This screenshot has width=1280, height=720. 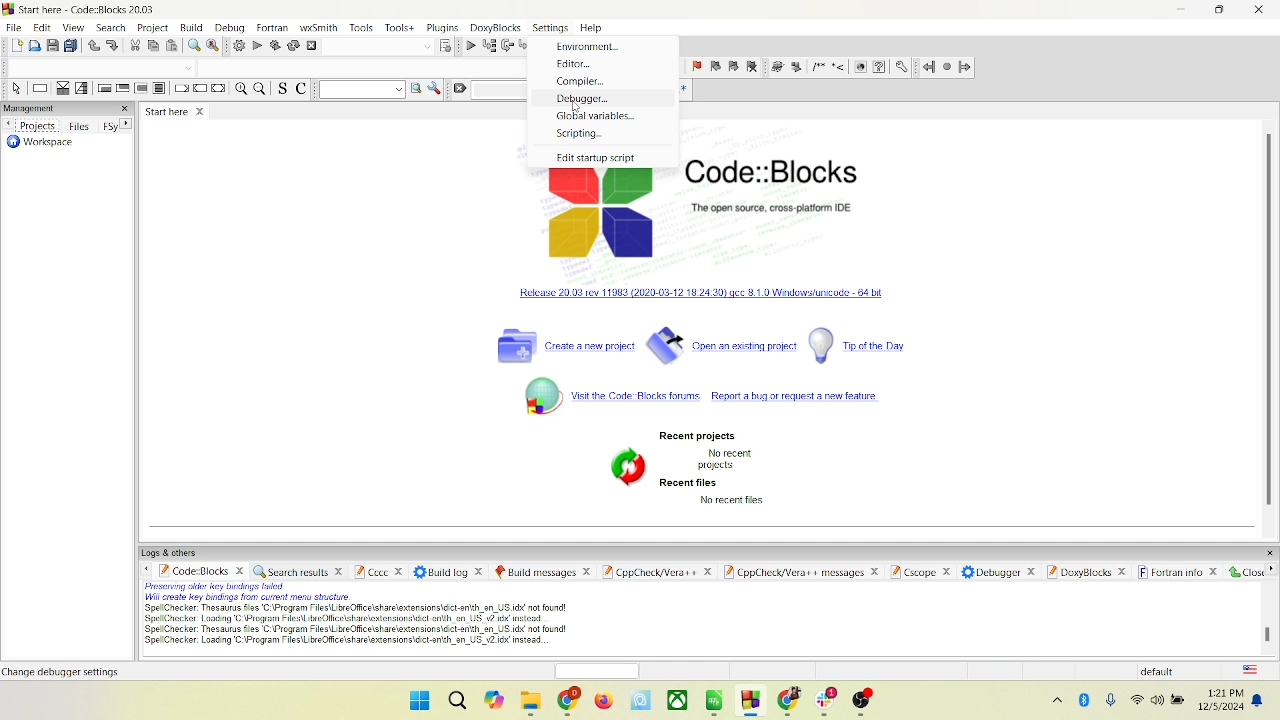 What do you see at coordinates (580, 82) in the screenshot?
I see `compiler` at bounding box center [580, 82].